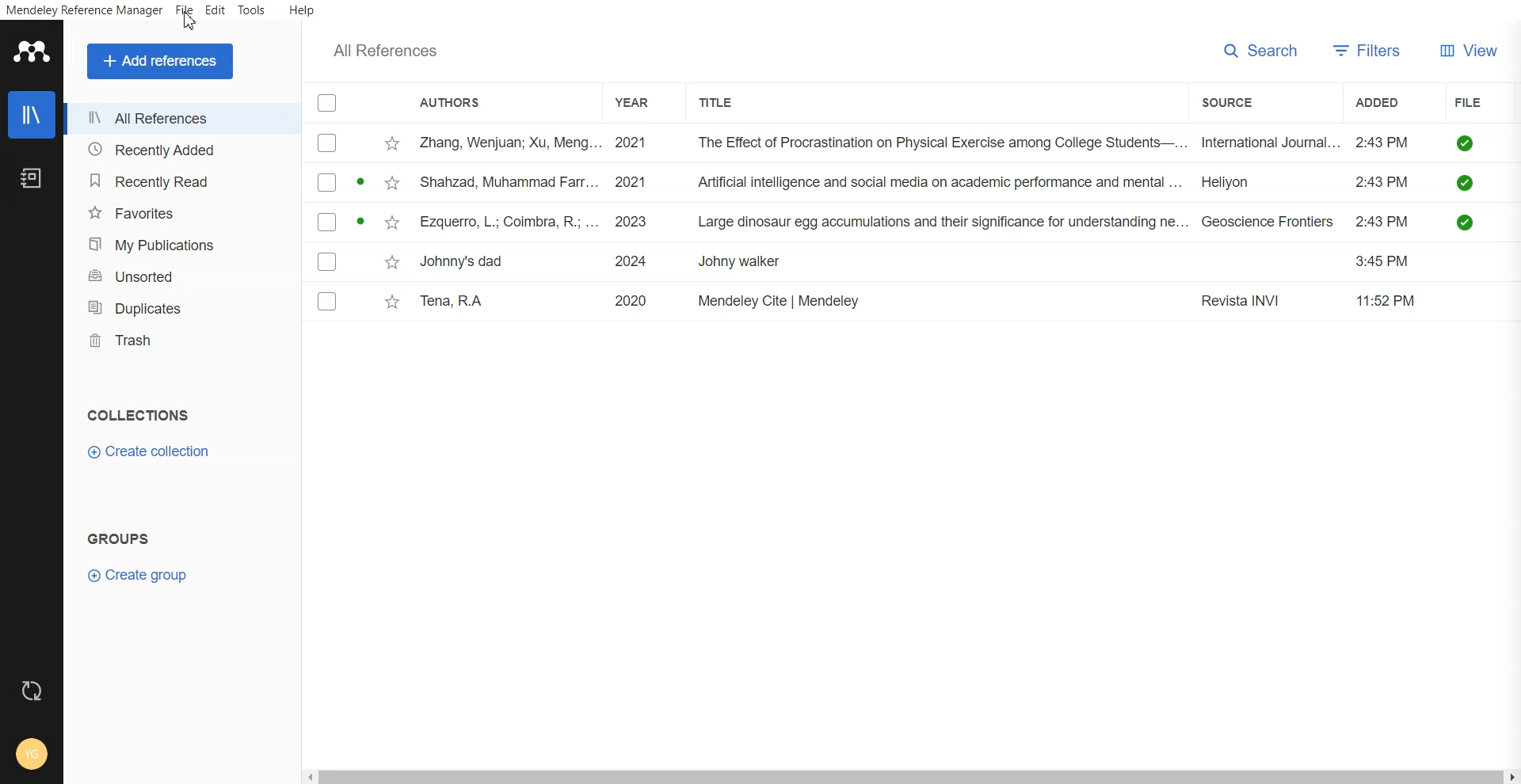 This screenshot has width=1521, height=784. What do you see at coordinates (509, 221) in the screenshot?
I see `Ezquerro, L.; Coimbra, R; ...` at bounding box center [509, 221].